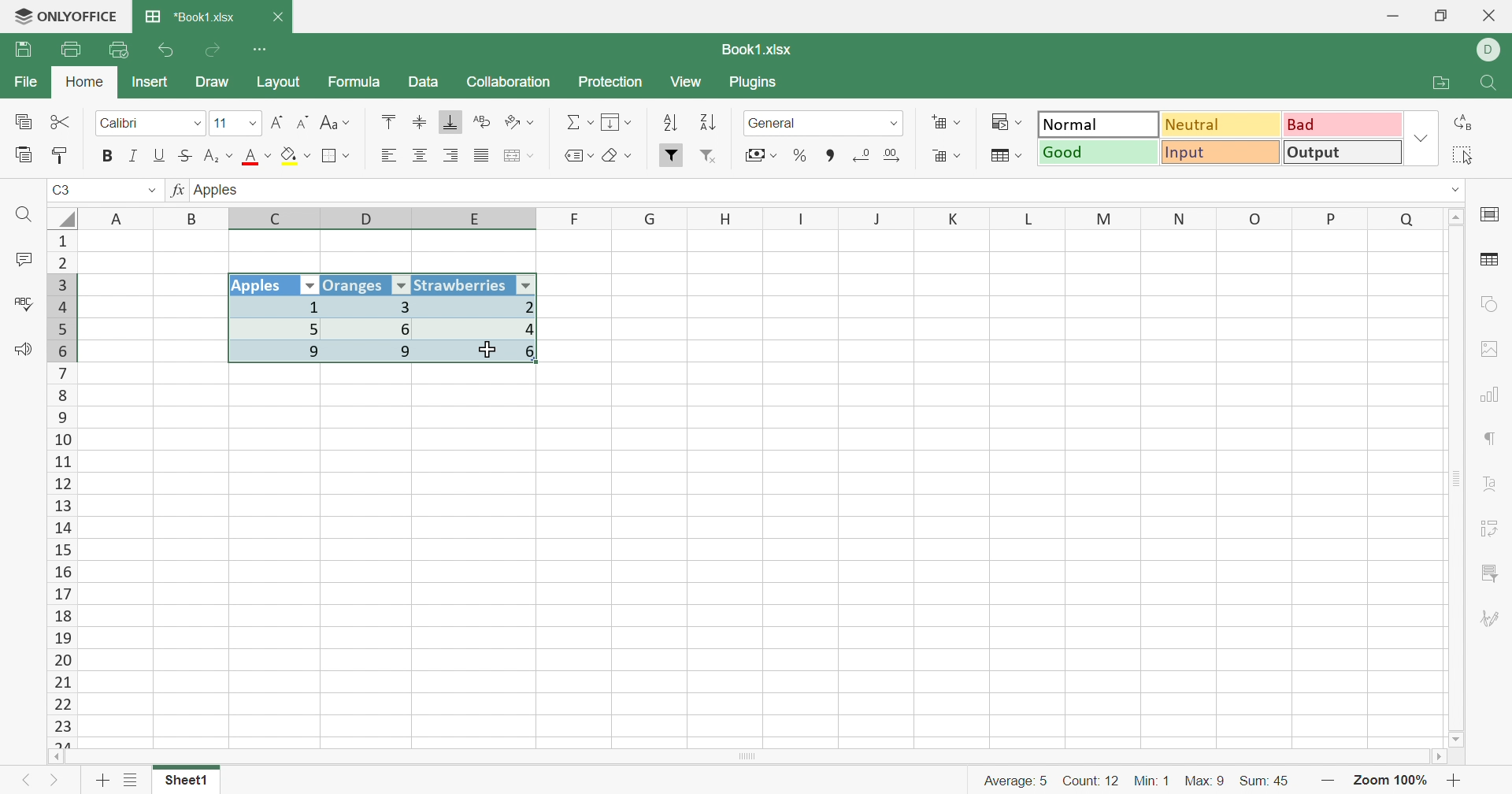 The width and height of the screenshot is (1512, 794). Describe the element at coordinates (102, 780) in the screenshot. I see `Add sheet` at that location.